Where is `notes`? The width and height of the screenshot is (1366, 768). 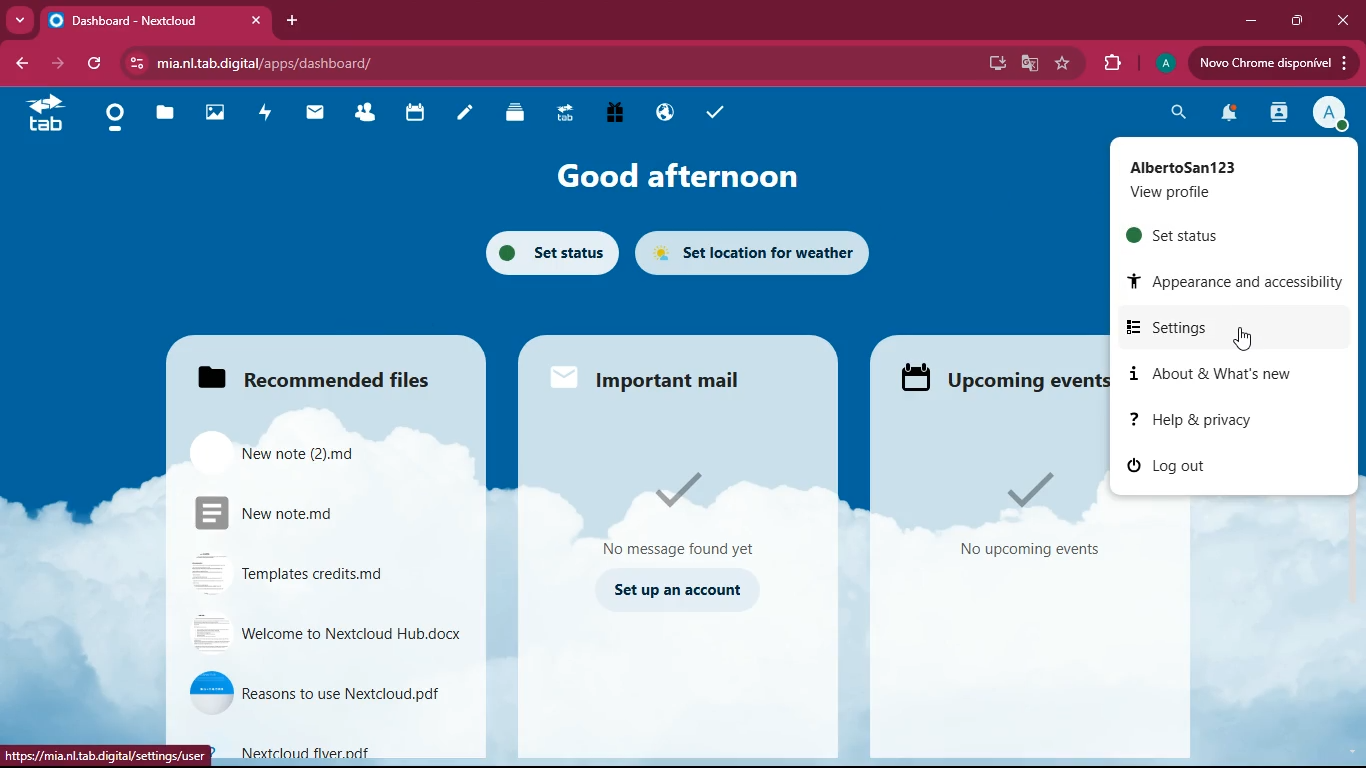
notes is located at coordinates (471, 115).